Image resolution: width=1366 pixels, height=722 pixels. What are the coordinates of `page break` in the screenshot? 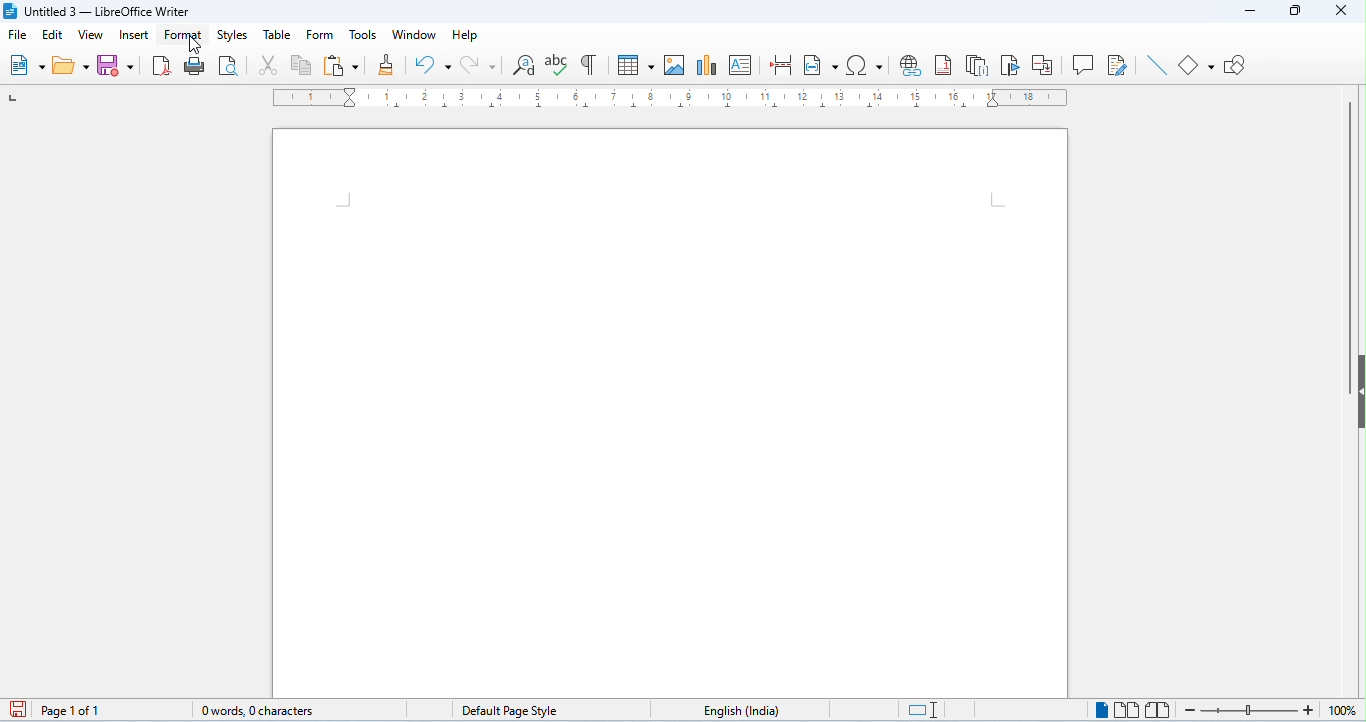 It's located at (782, 64).